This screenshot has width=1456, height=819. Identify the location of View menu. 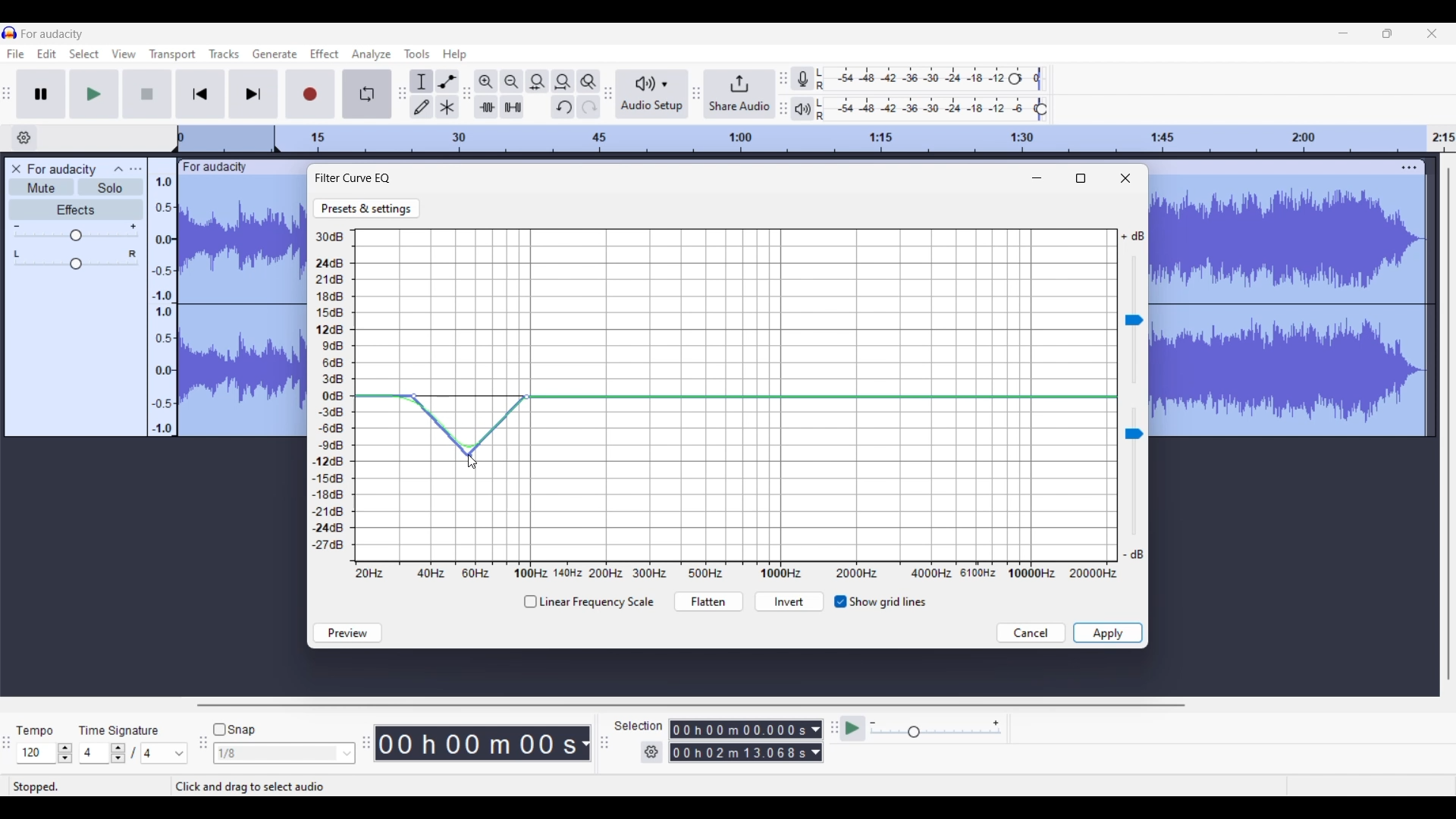
(124, 54).